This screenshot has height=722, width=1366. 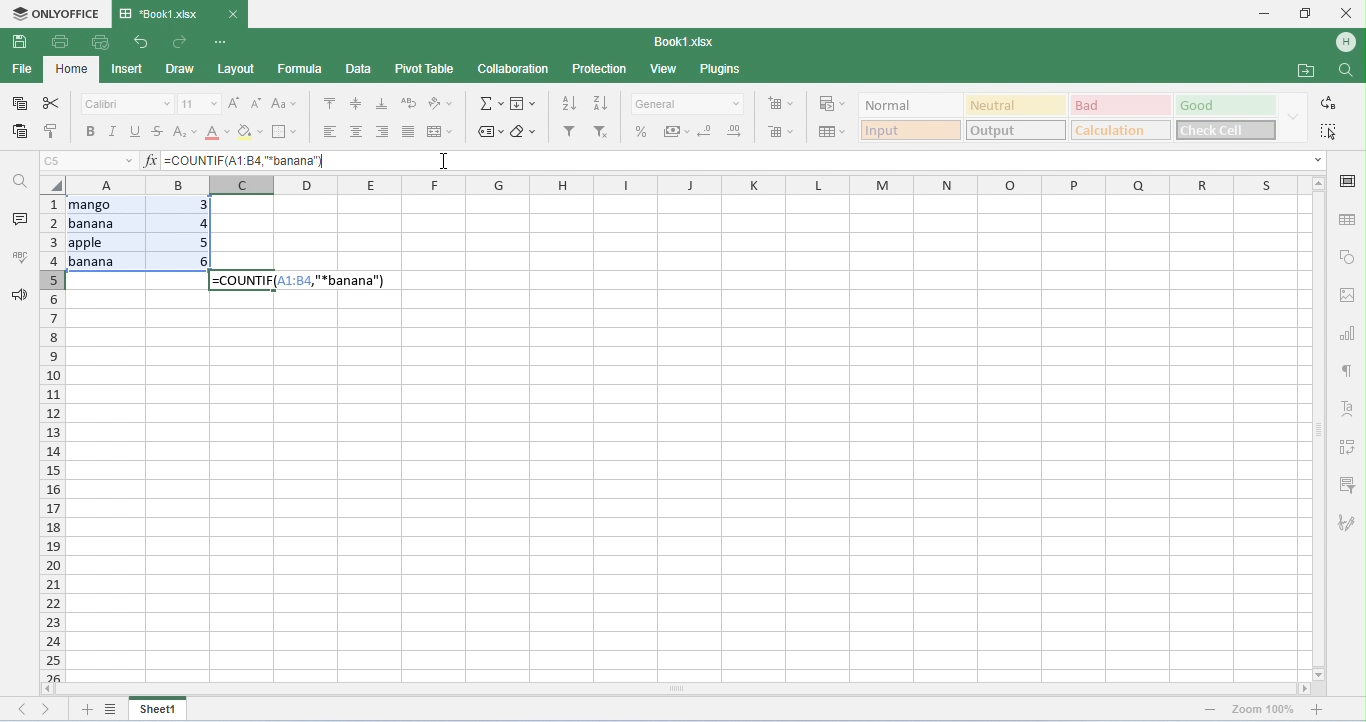 I want to click on merge and center, so click(x=441, y=133).